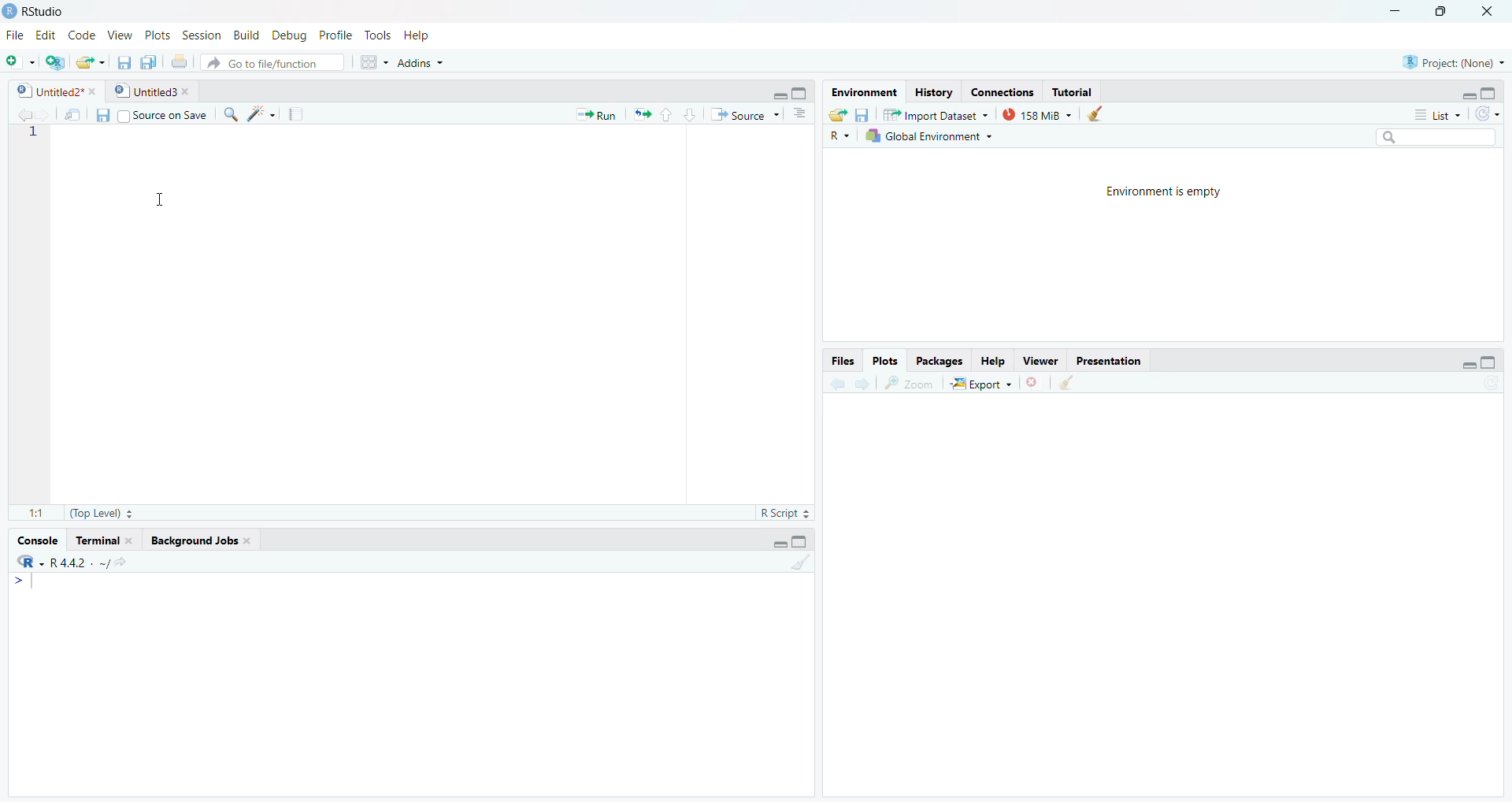 The image size is (1512, 802). What do you see at coordinates (180, 61) in the screenshot?
I see `Print document` at bounding box center [180, 61].